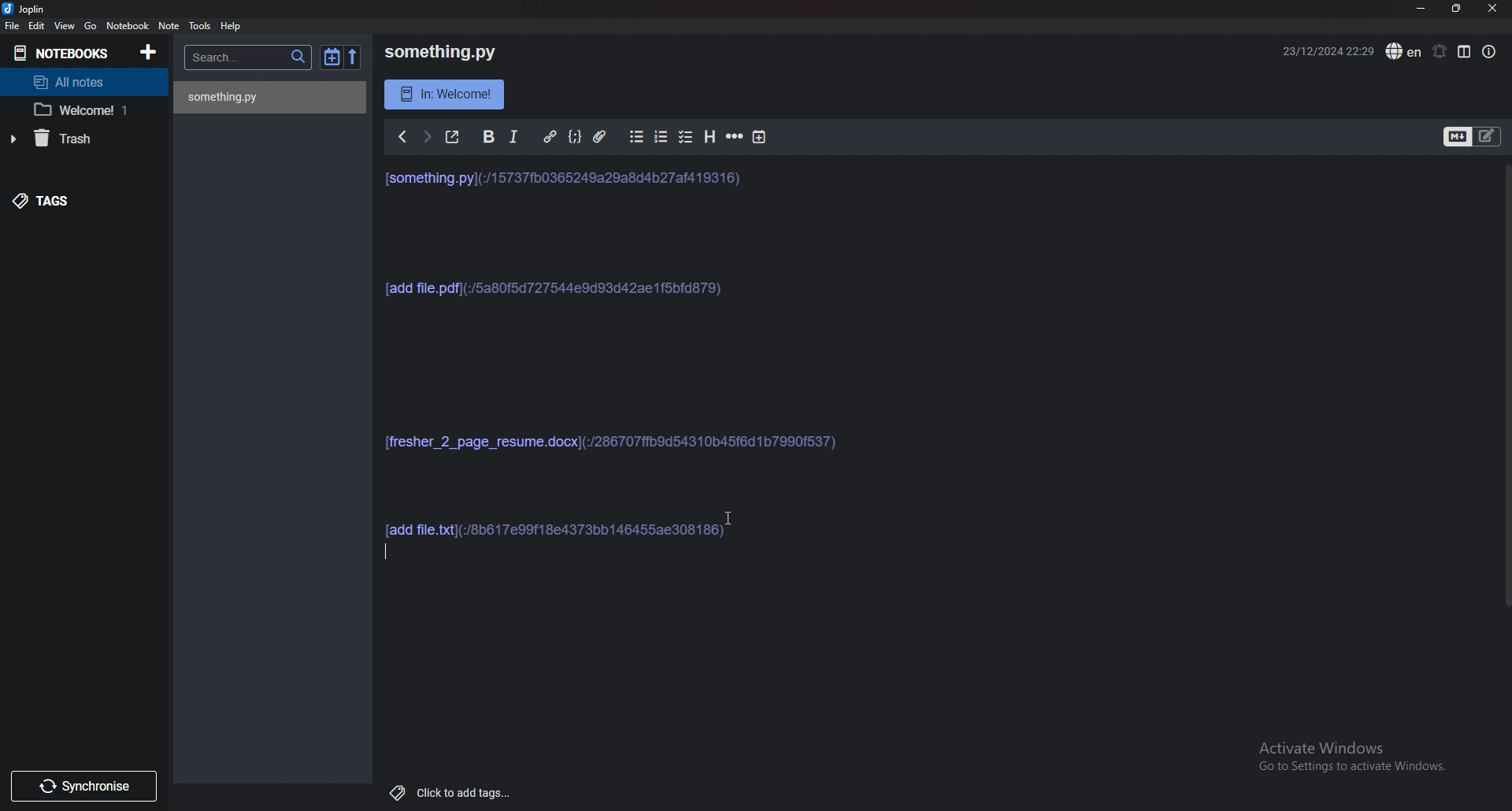  I want to click on Horizontal rule, so click(734, 136).